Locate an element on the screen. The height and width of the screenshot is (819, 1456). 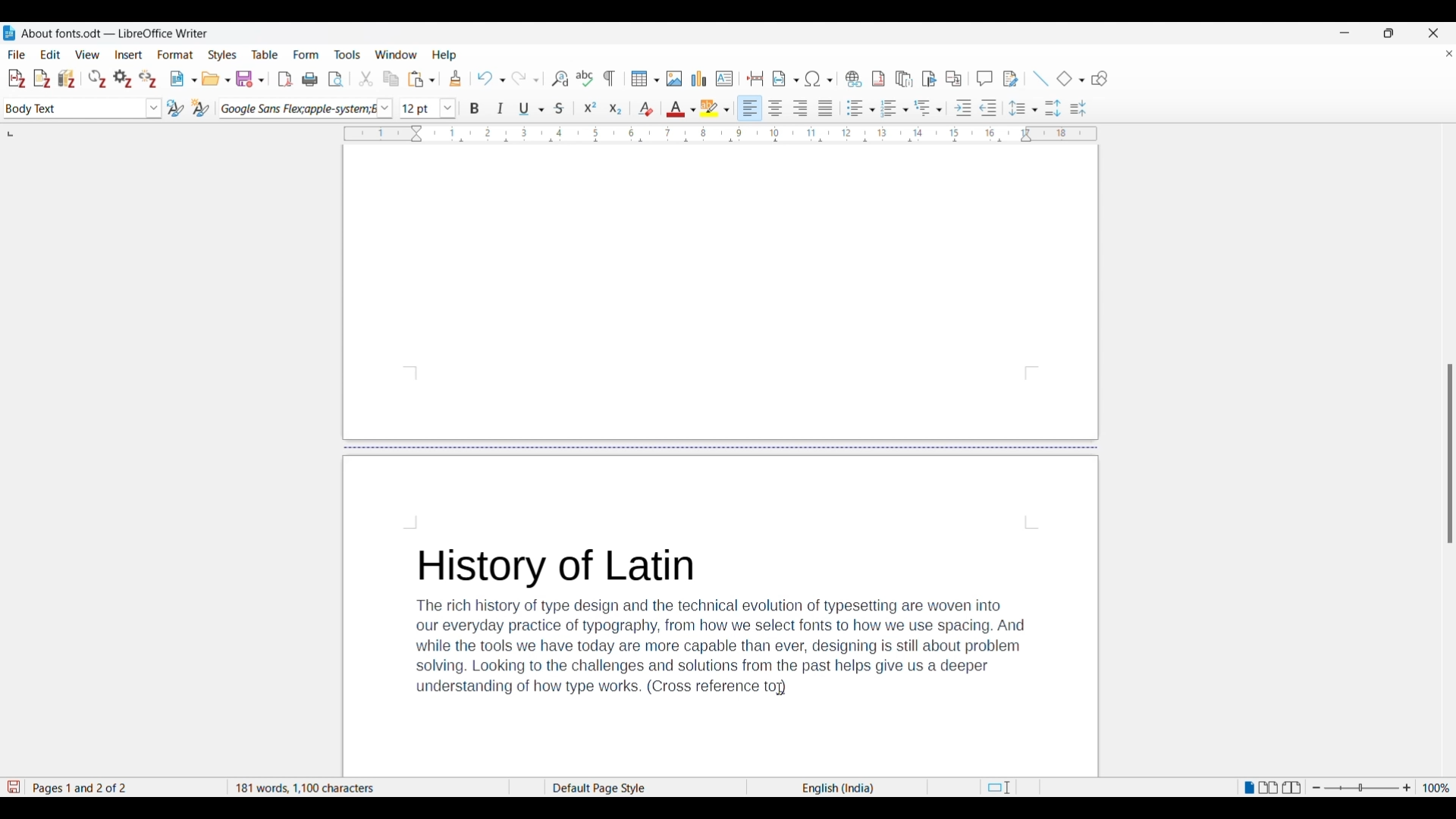
Underline options is located at coordinates (531, 108).